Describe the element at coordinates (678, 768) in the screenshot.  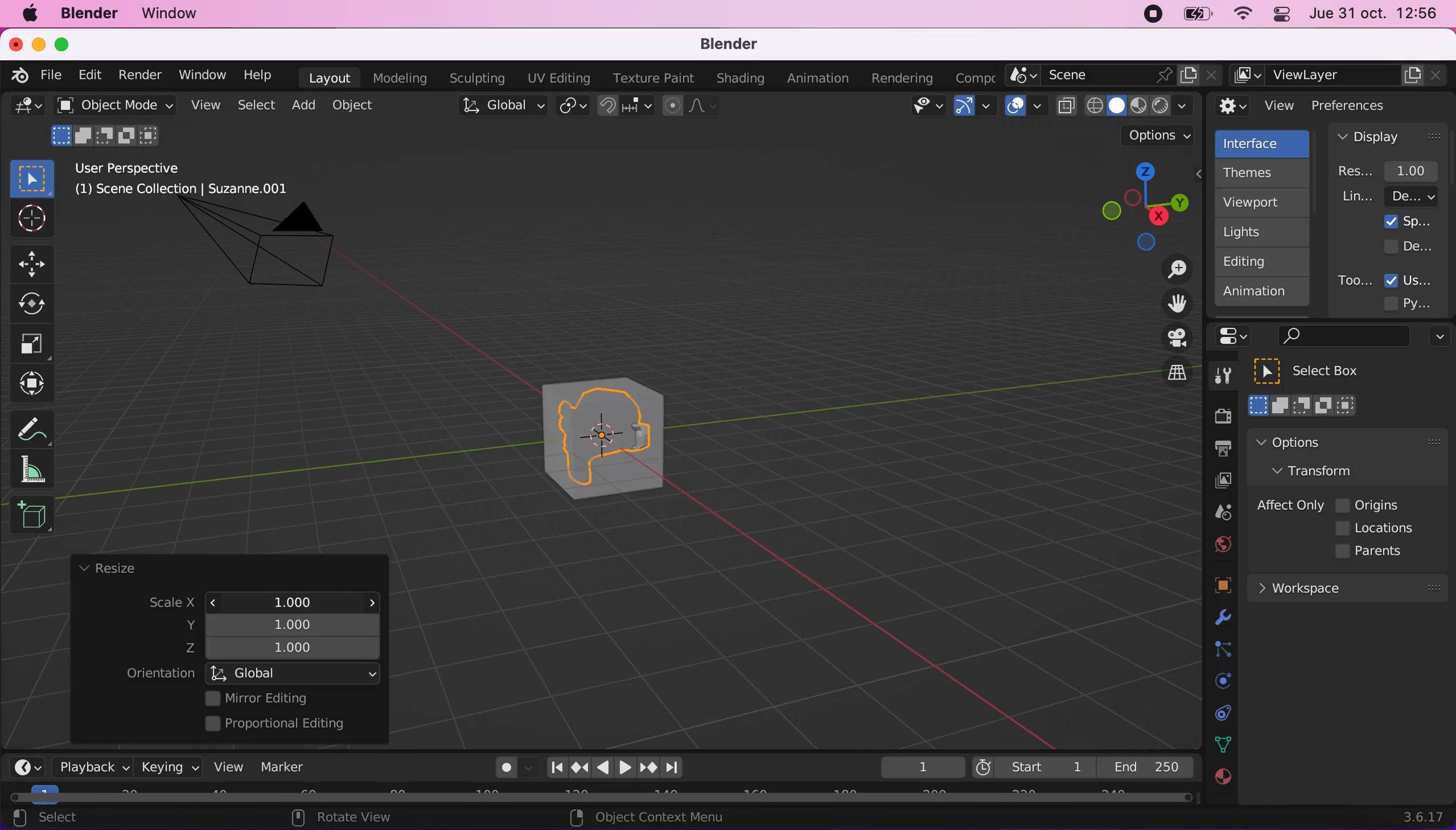
I see `jump to endpoint` at that location.